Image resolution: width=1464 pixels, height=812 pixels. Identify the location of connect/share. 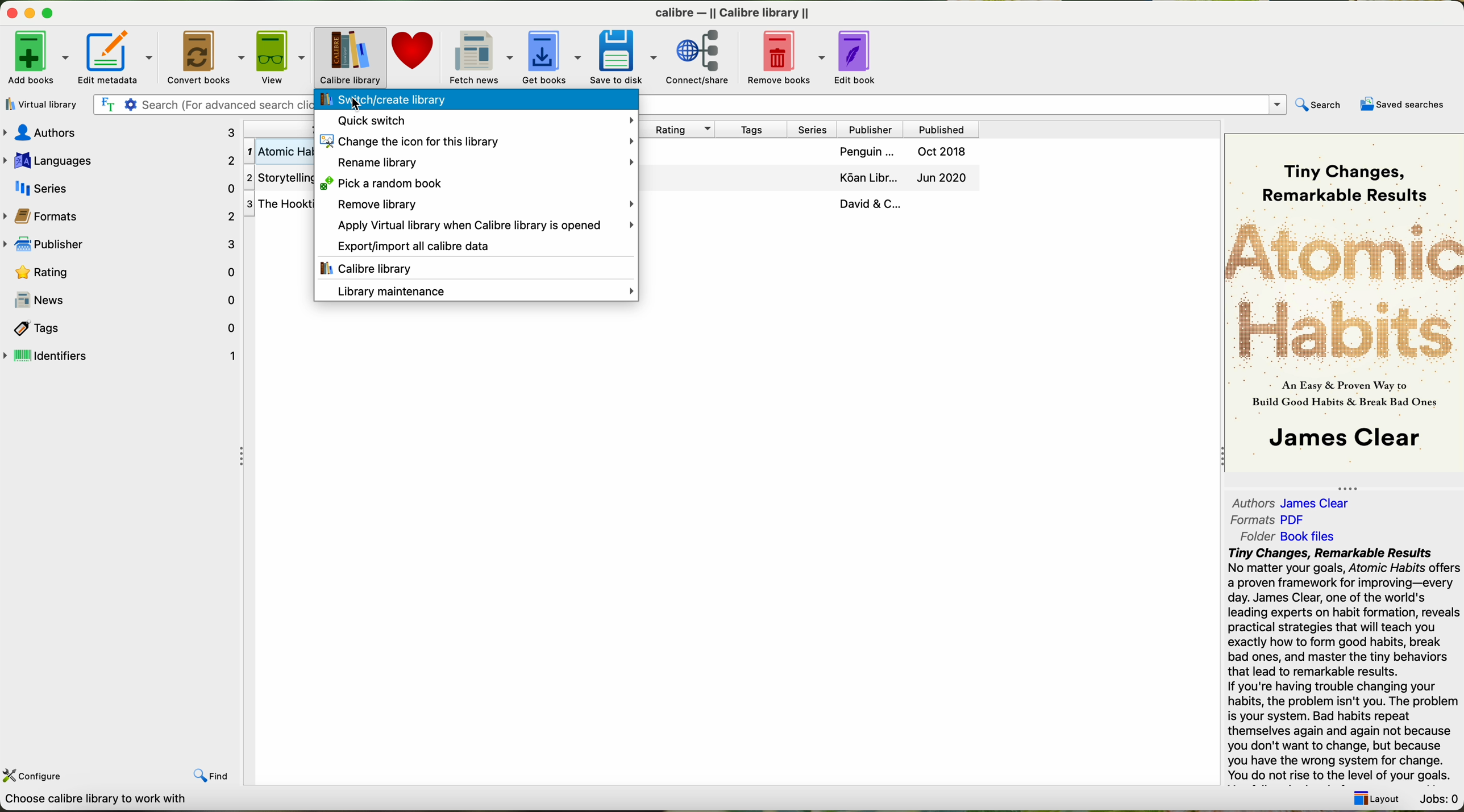
(705, 56).